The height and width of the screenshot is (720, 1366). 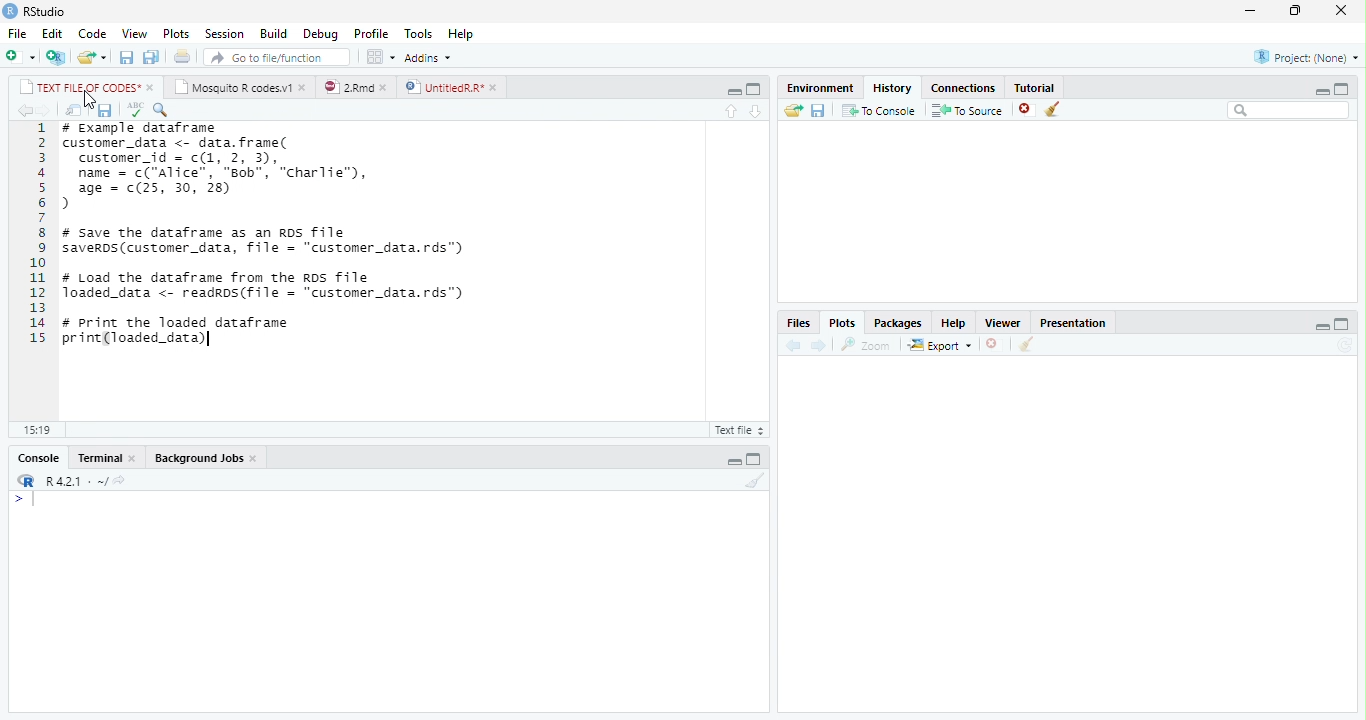 I want to click on close, so click(x=1341, y=9).